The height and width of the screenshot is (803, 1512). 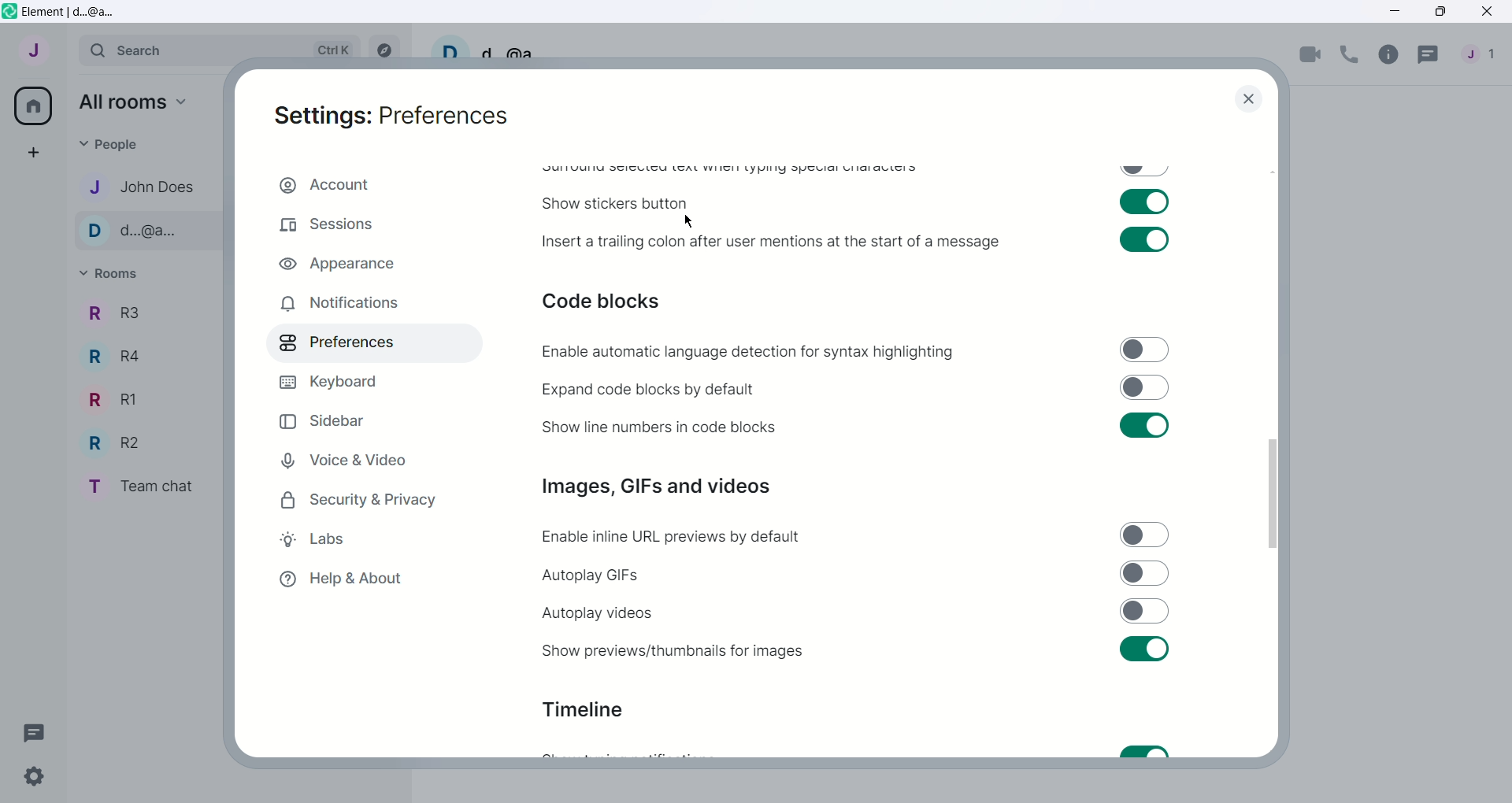 I want to click on d...@a..., so click(x=521, y=50).